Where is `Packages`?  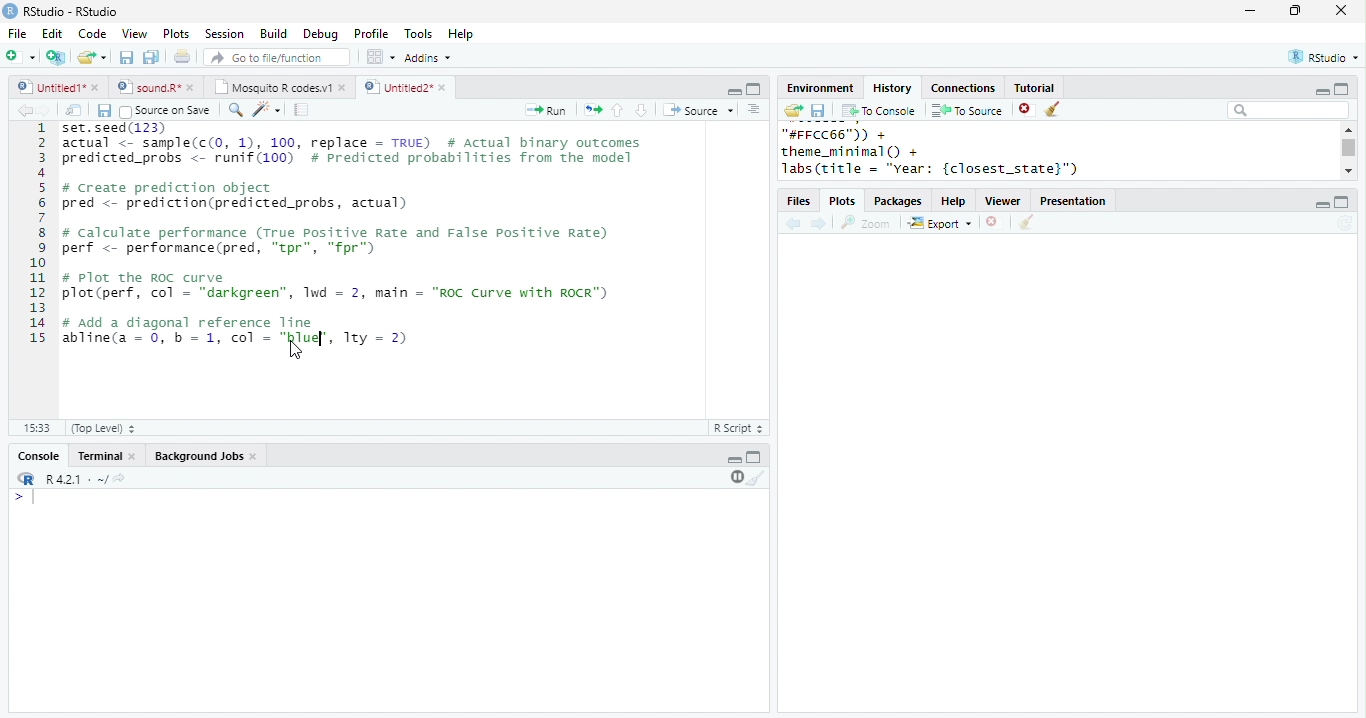 Packages is located at coordinates (898, 202).